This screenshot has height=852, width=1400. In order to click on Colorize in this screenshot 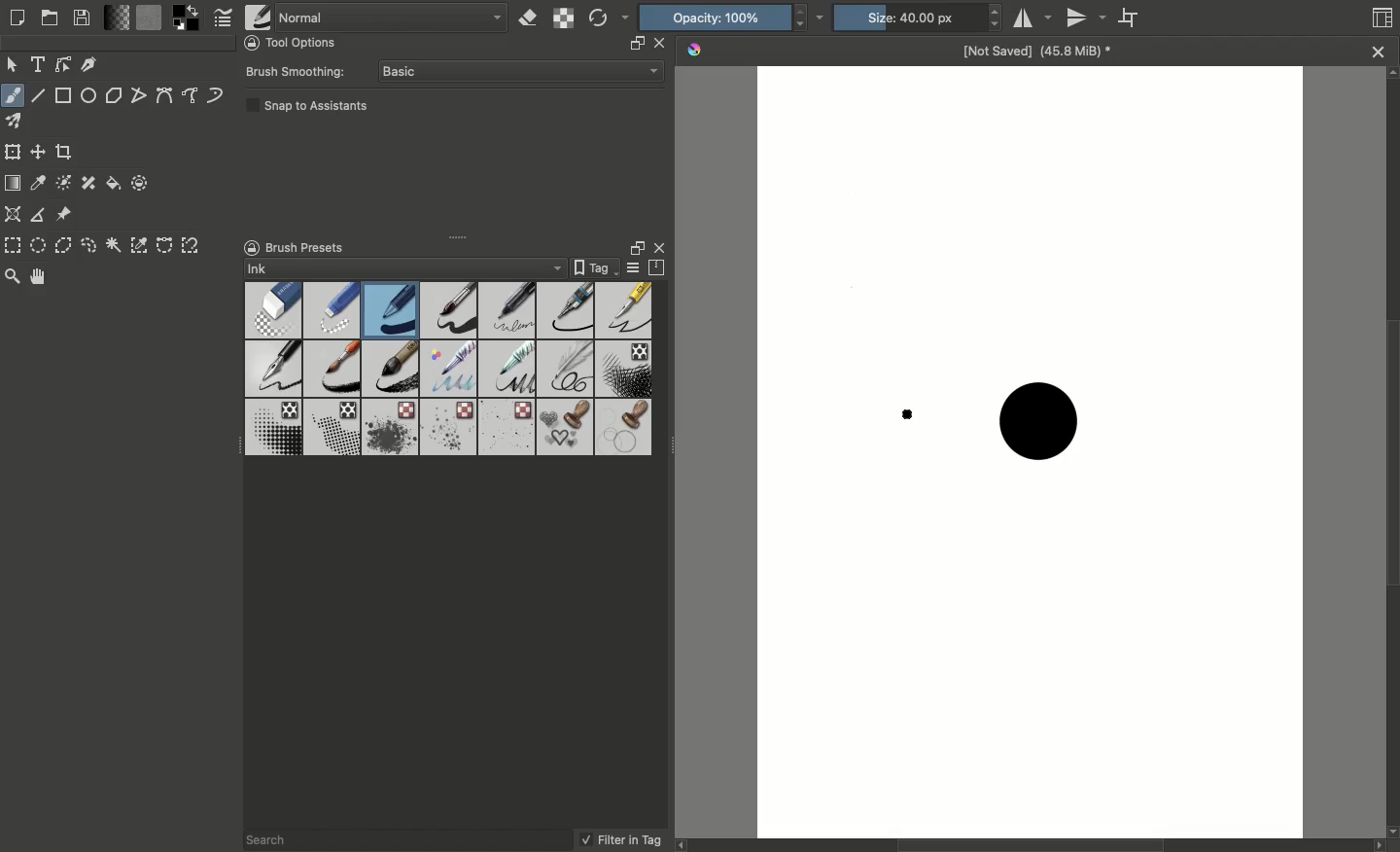, I will do `click(65, 183)`.